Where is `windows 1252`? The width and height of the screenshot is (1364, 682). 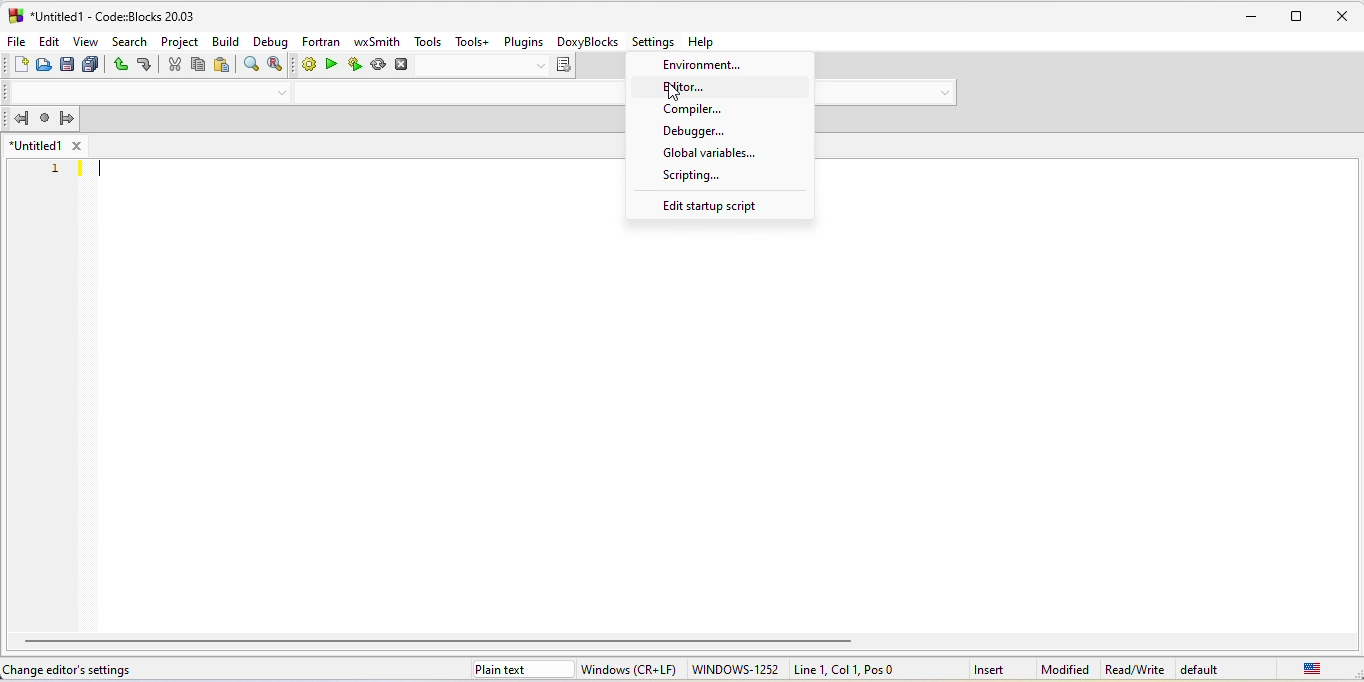
windows 1252 is located at coordinates (737, 670).